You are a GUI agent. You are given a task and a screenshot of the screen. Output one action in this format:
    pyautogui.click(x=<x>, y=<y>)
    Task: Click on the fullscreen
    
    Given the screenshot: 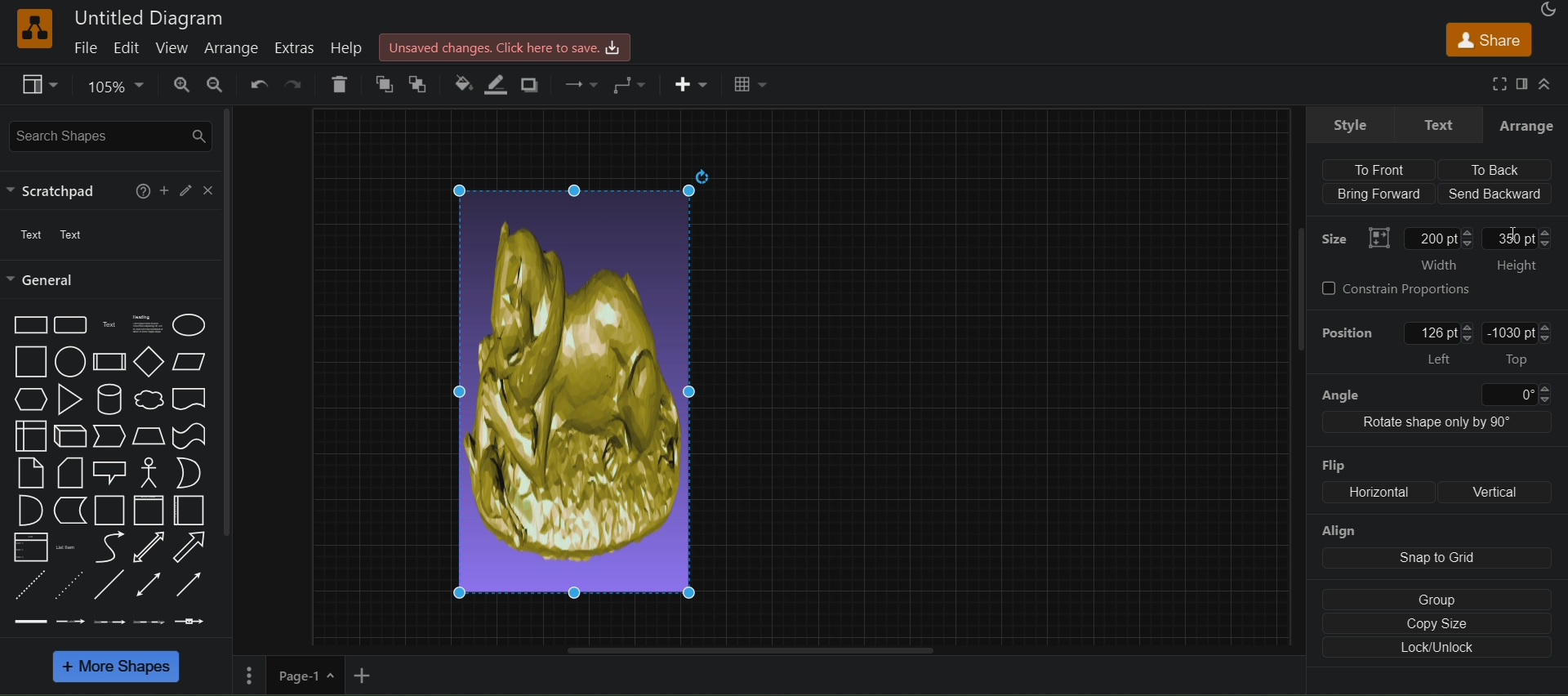 What is the action you would take?
    pyautogui.click(x=1499, y=84)
    